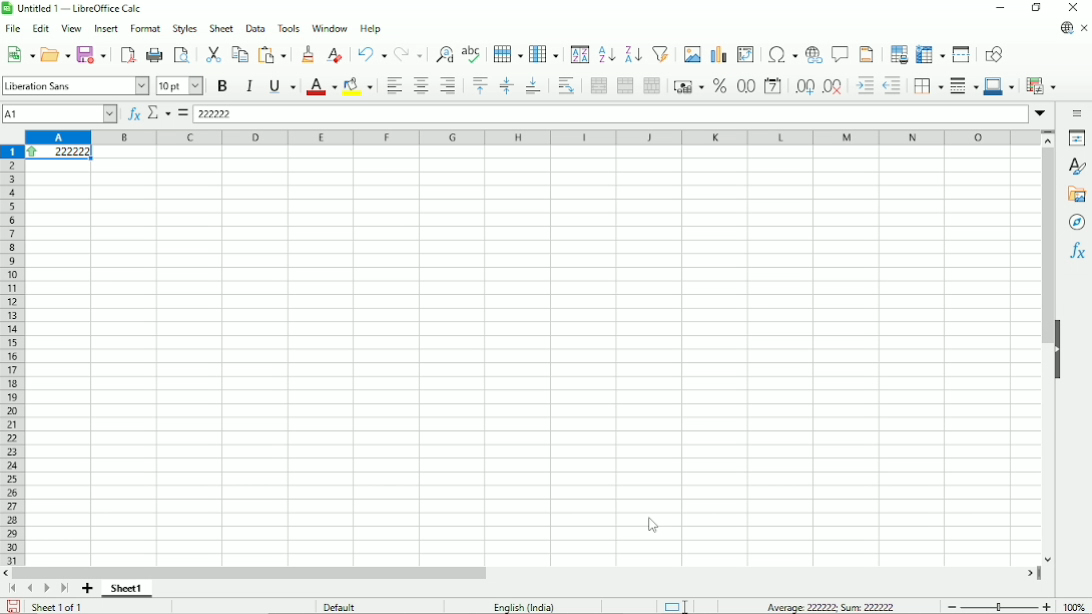 The width and height of the screenshot is (1092, 614). Describe the element at coordinates (479, 86) in the screenshot. I see `Align top` at that location.